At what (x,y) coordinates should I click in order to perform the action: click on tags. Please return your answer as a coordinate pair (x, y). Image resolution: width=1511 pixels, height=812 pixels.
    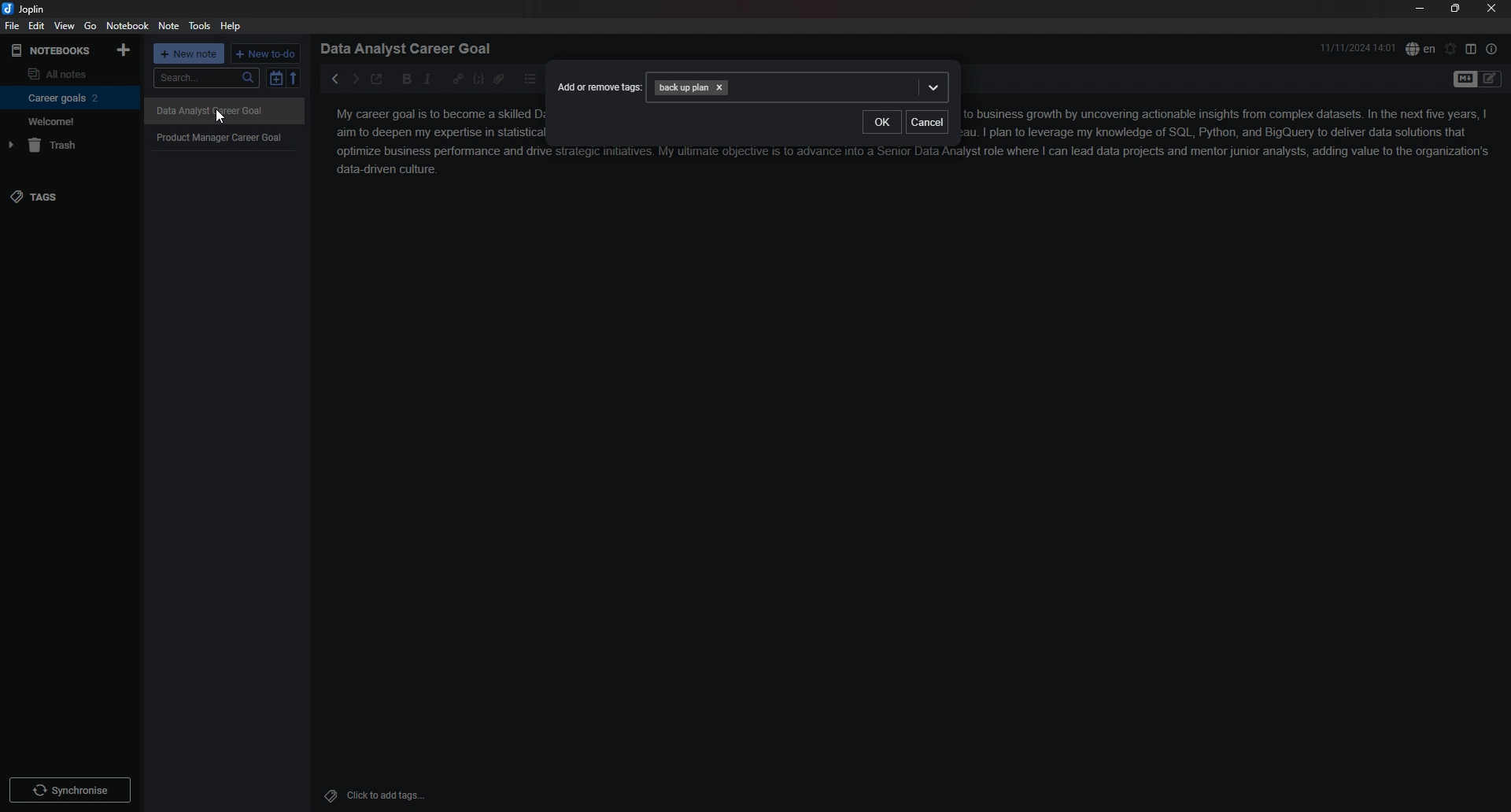
    Looking at the image, I should click on (69, 197).